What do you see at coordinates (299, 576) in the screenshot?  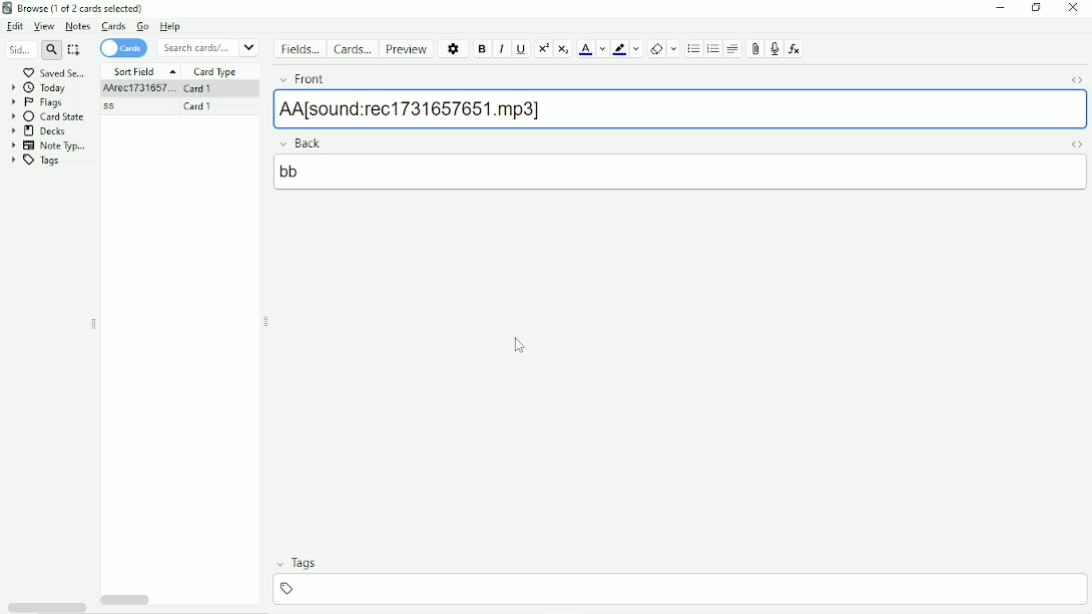 I see `Tags` at bounding box center [299, 576].